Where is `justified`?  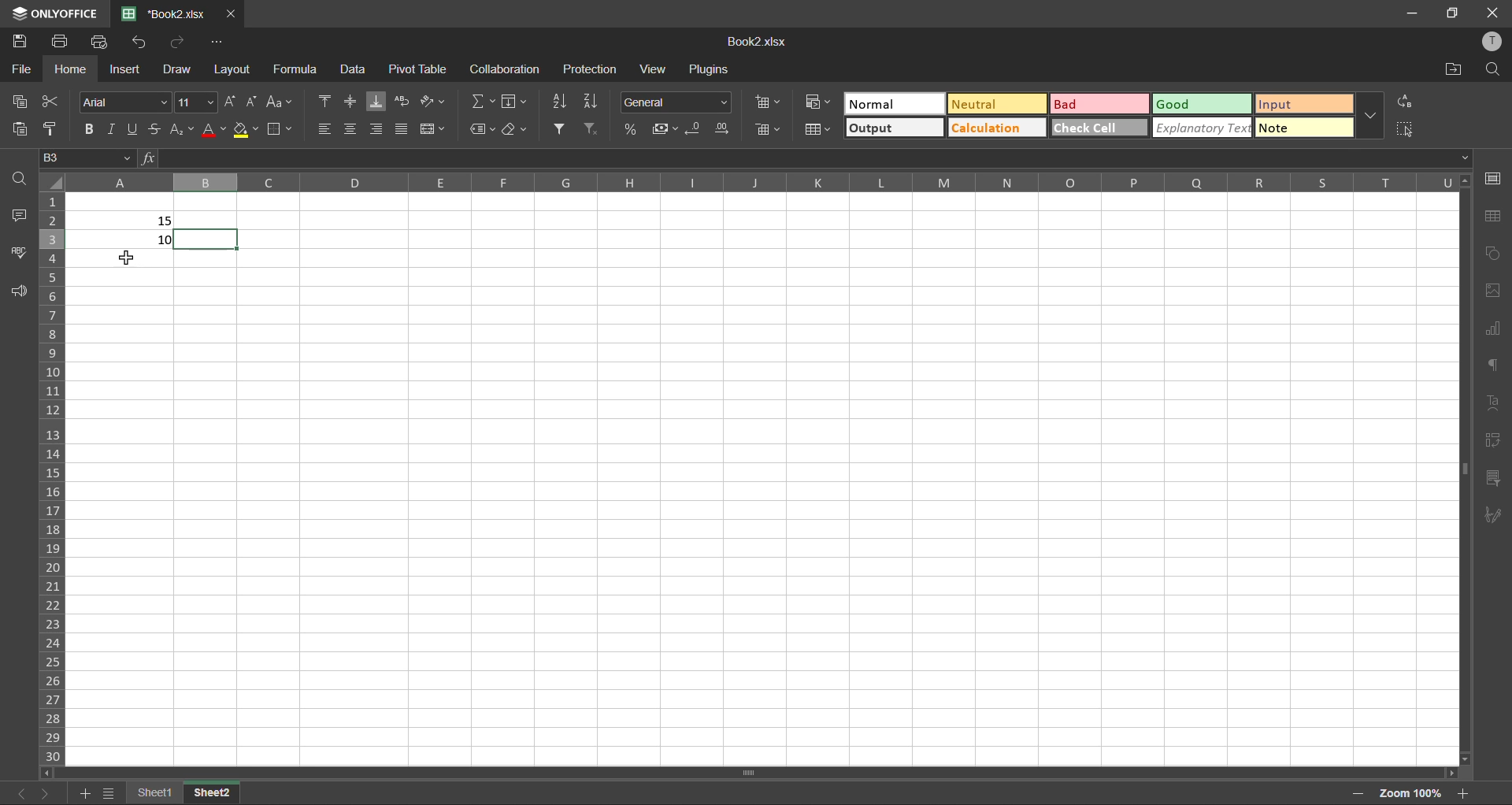
justified is located at coordinates (402, 129).